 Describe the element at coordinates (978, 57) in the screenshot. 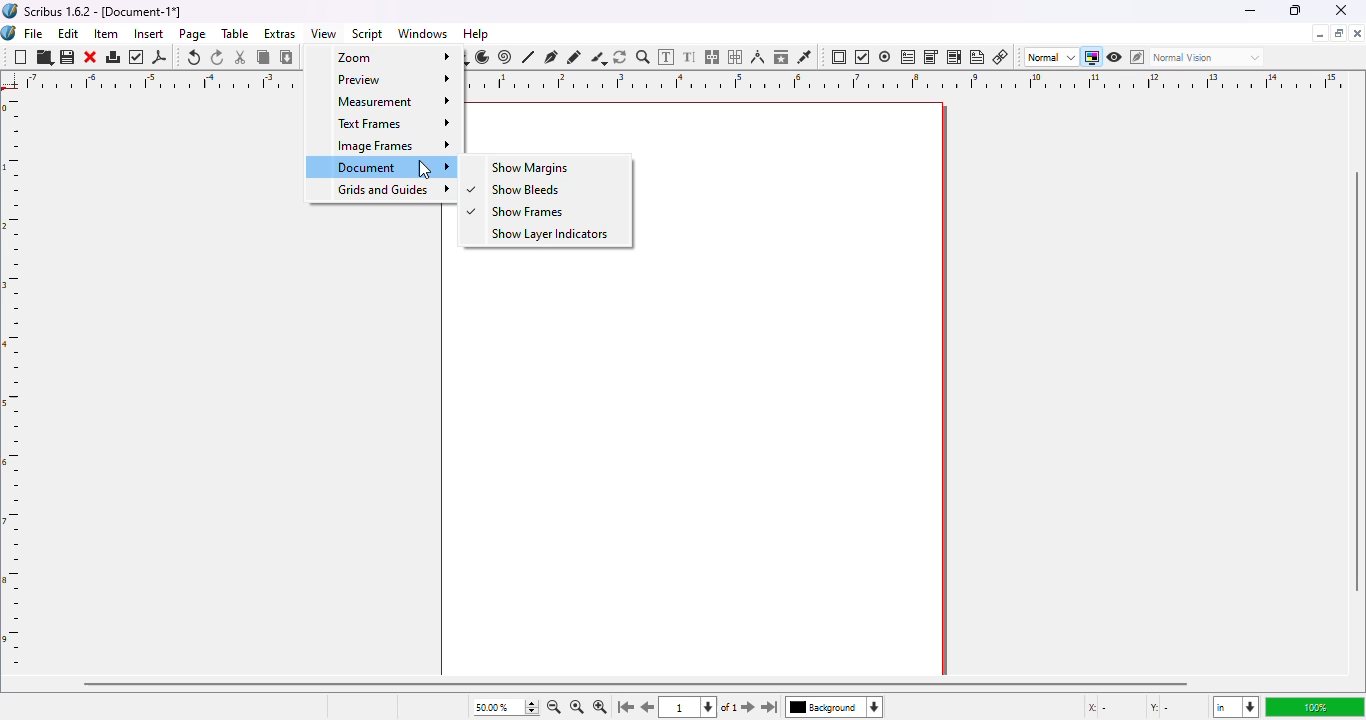

I see `text annotation` at that location.